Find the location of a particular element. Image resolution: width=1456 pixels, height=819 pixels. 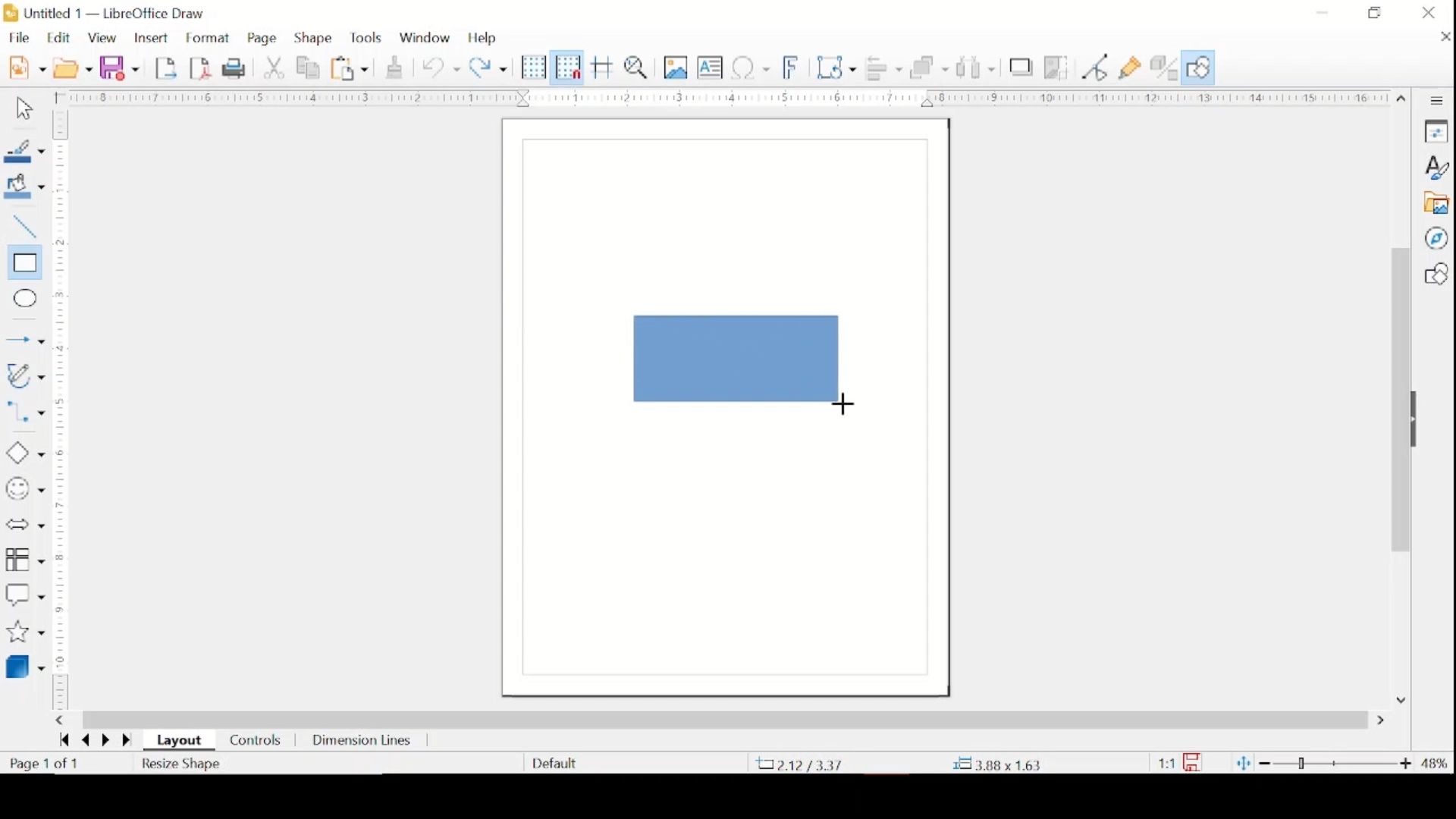

close is located at coordinates (1442, 36).